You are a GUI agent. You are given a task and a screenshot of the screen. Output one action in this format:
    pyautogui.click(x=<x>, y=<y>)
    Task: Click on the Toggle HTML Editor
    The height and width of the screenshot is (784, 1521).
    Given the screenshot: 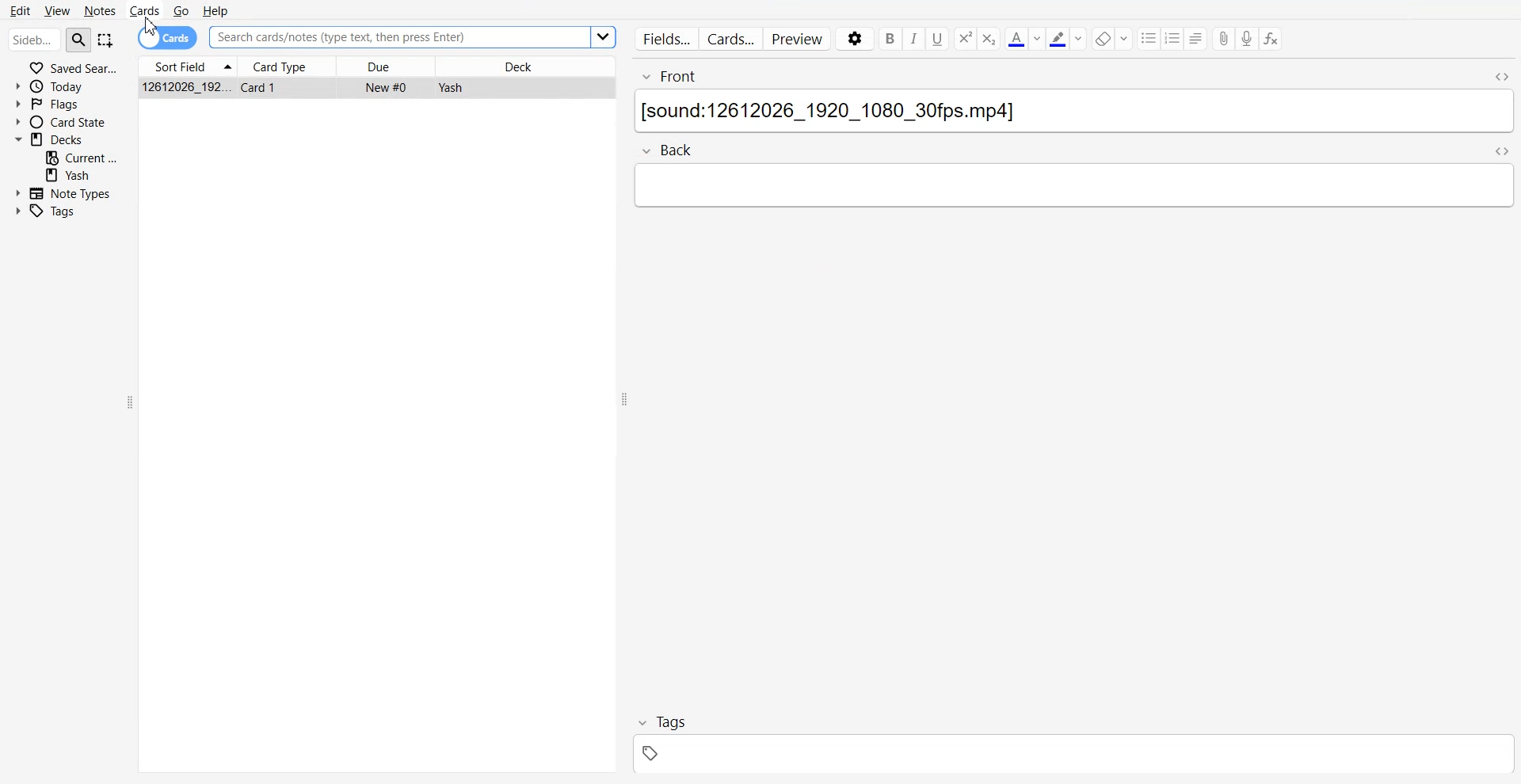 What is the action you would take?
    pyautogui.click(x=1500, y=74)
    